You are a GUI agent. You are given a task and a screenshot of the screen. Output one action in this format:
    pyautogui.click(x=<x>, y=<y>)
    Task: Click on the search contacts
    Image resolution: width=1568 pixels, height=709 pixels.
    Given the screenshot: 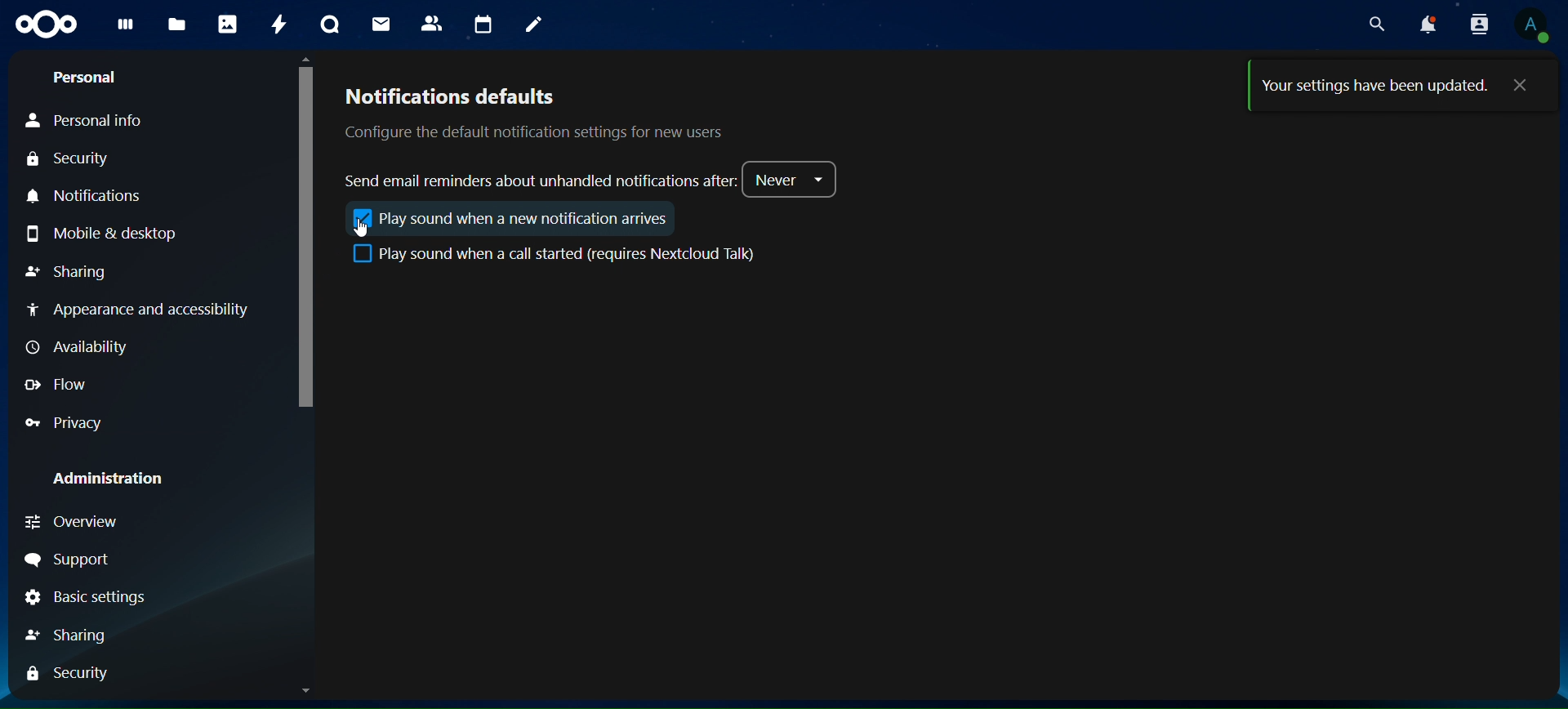 What is the action you would take?
    pyautogui.click(x=1475, y=24)
    